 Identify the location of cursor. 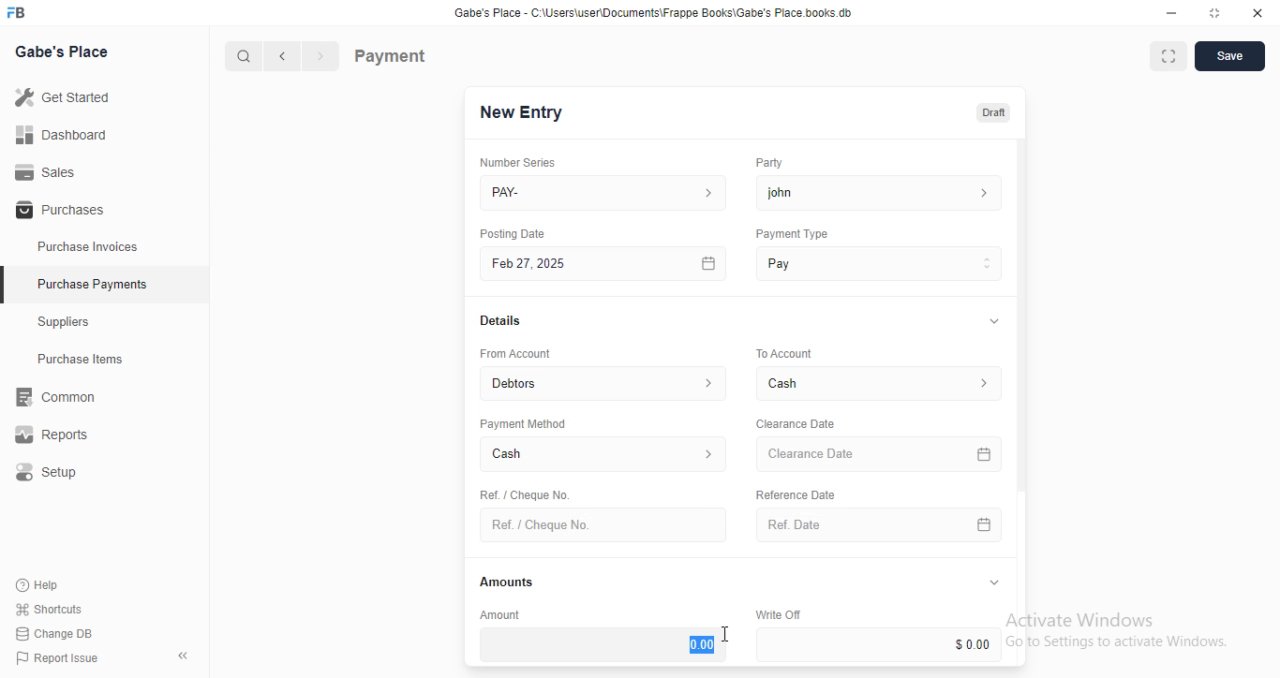
(722, 634).